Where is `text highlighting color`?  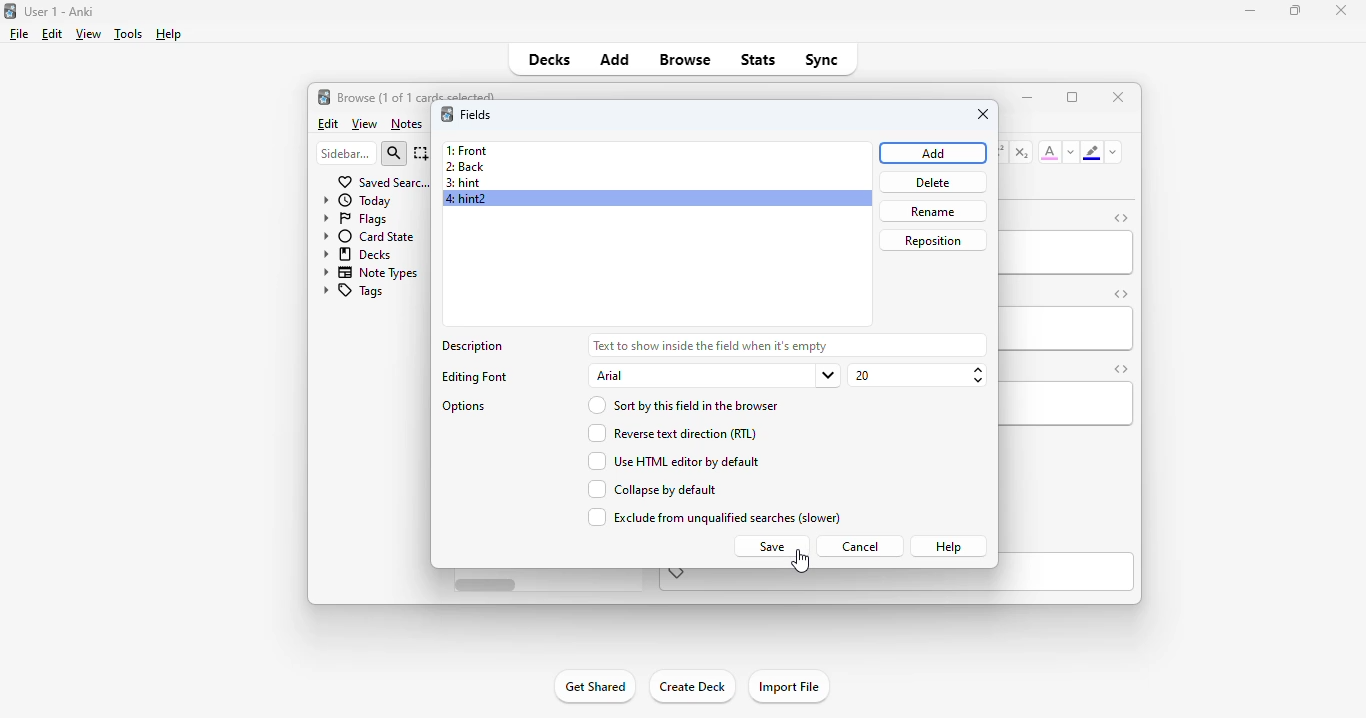 text highlighting color is located at coordinates (1091, 152).